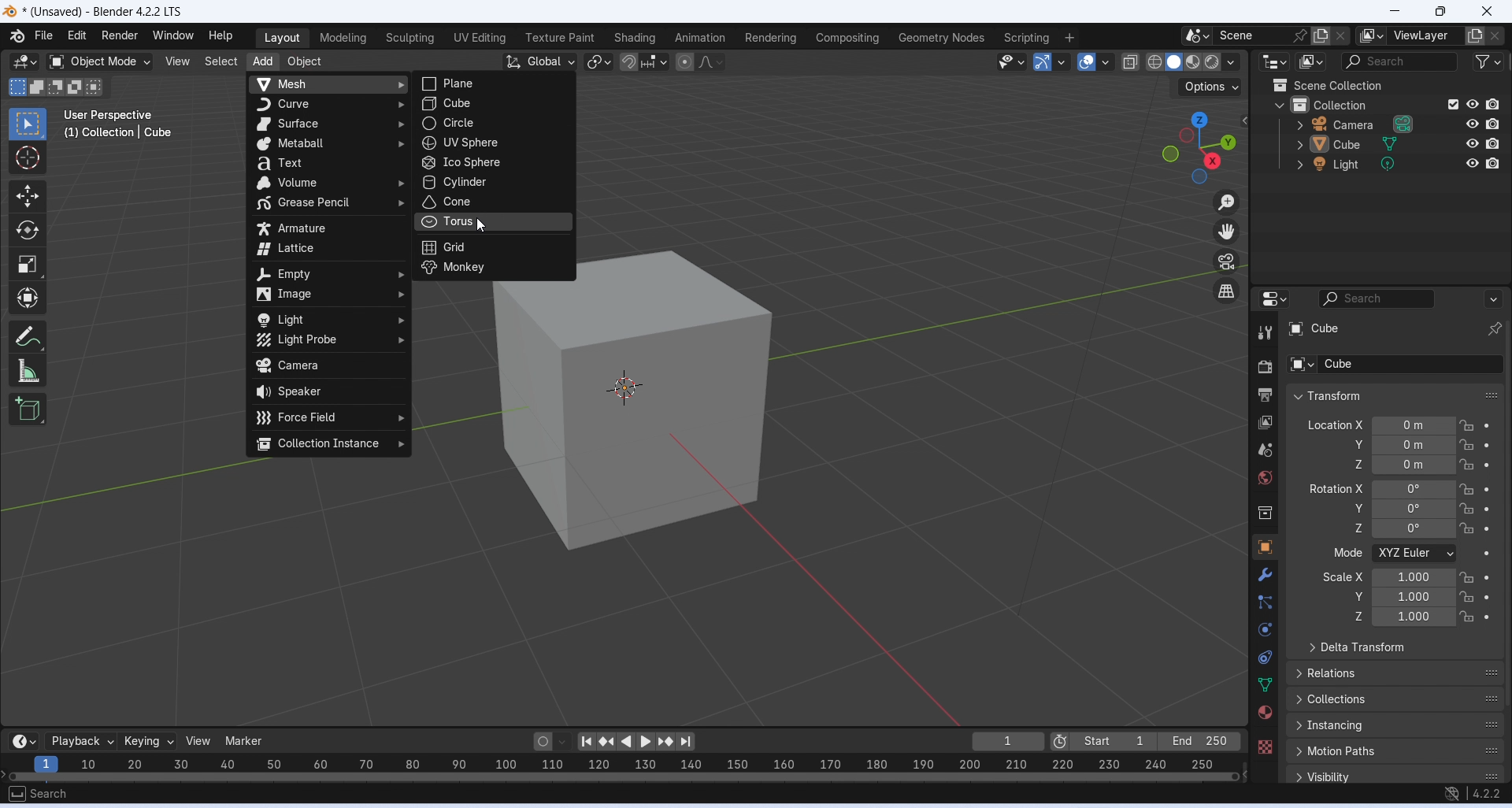 Image resolution: width=1512 pixels, height=808 pixels. What do you see at coordinates (21, 740) in the screenshot?
I see `Editor type` at bounding box center [21, 740].